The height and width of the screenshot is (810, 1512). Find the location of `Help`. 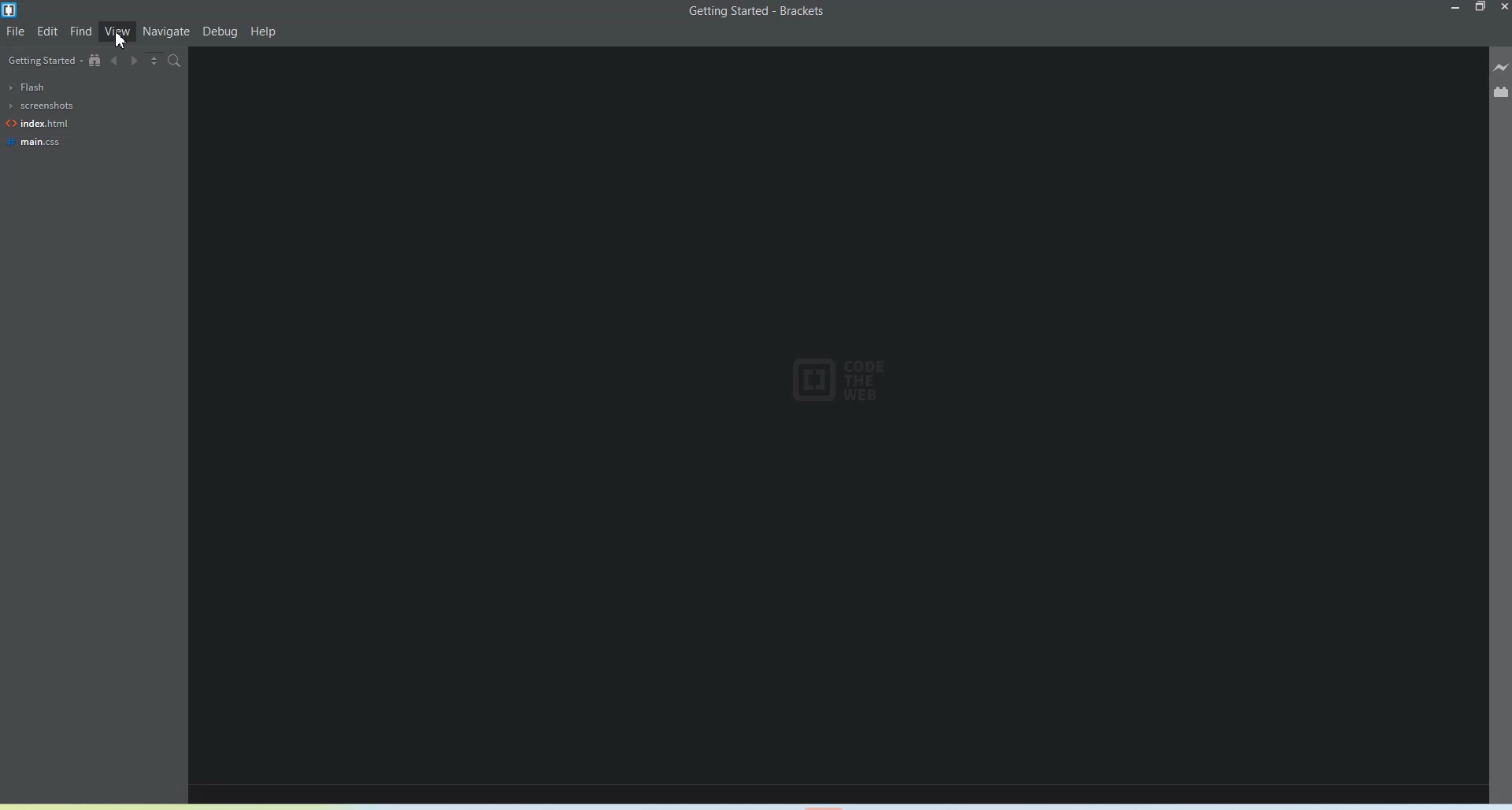

Help is located at coordinates (264, 32).